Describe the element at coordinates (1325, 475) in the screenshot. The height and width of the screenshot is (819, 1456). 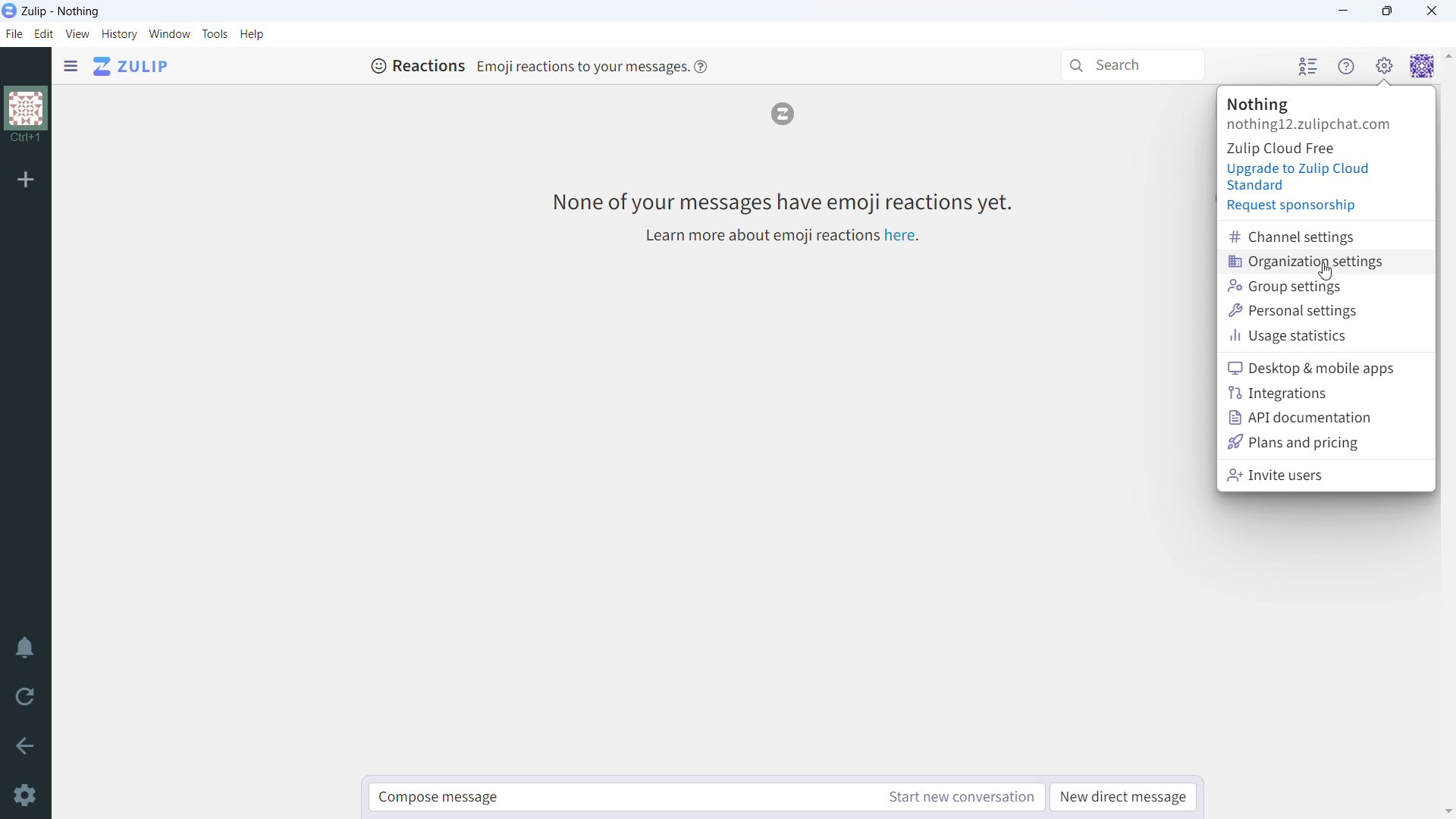
I see `invite users` at that location.